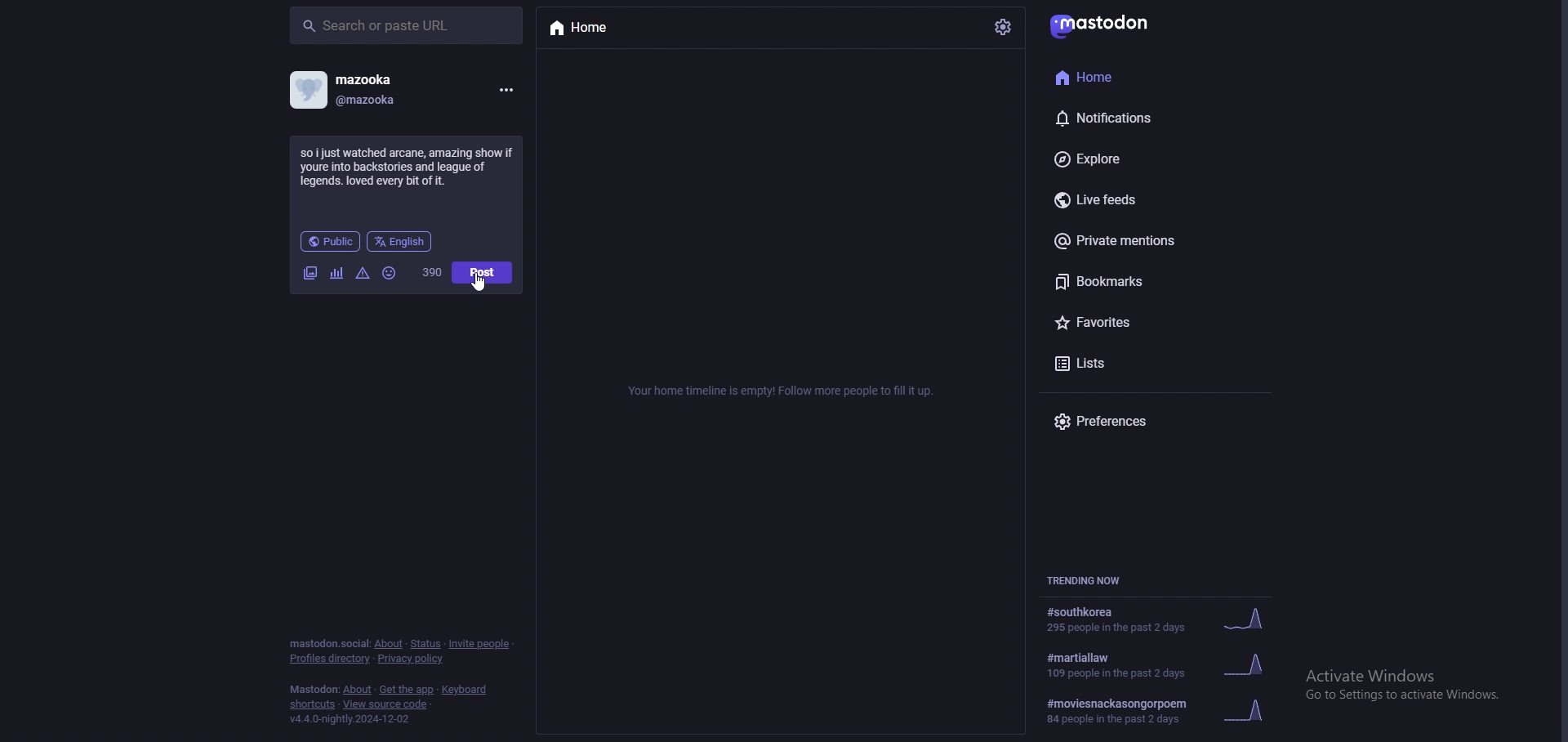  I want to click on emoji, so click(390, 273).